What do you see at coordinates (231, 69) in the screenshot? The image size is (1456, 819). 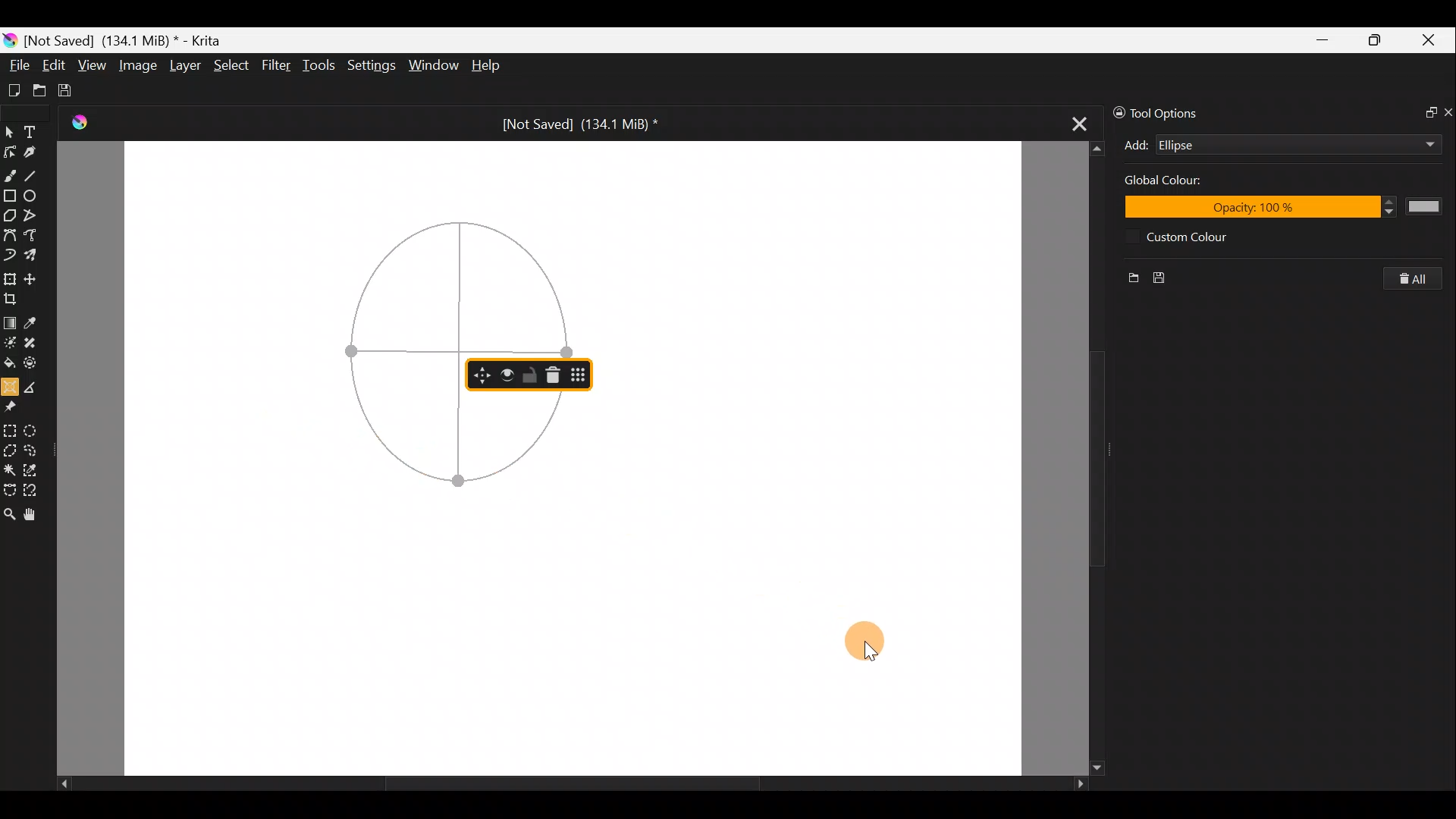 I see `Select` at bounding box center [231, 69].